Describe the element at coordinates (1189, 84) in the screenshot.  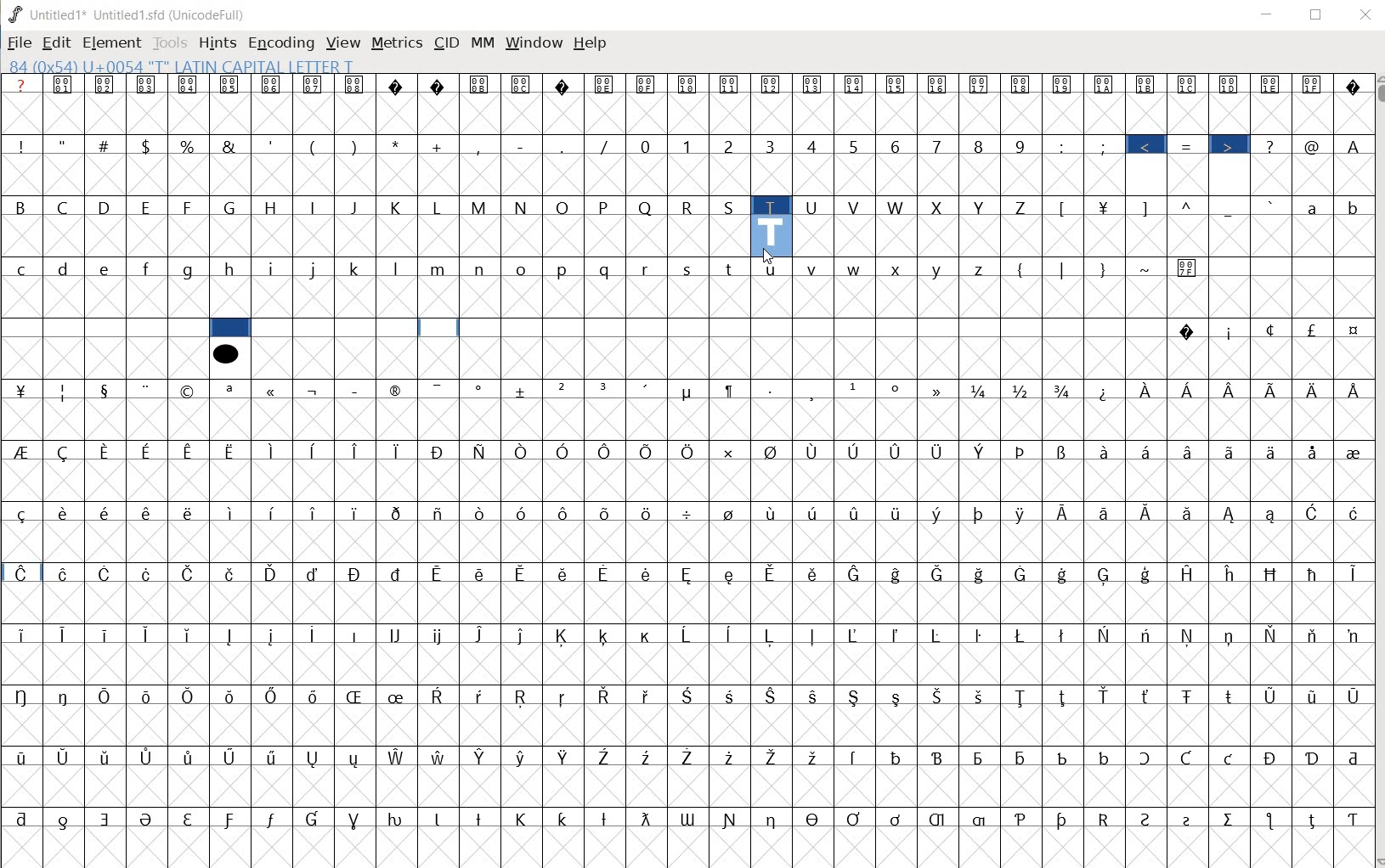
I see `Symbol` at that location.